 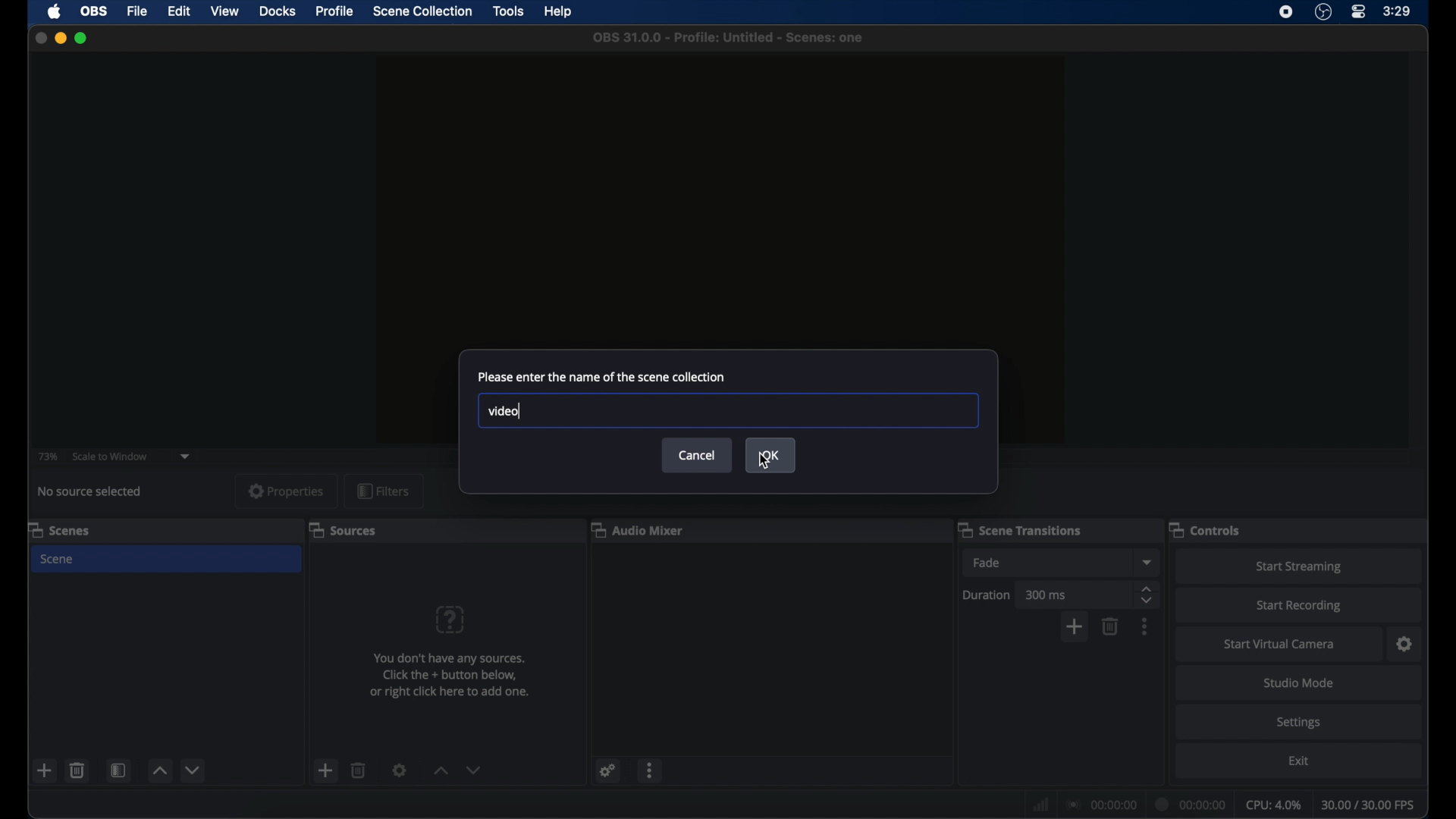 What do you see at coordinates (1100, 804) in the screenshot?
I see `connection` at bounding box center [1100, 804].